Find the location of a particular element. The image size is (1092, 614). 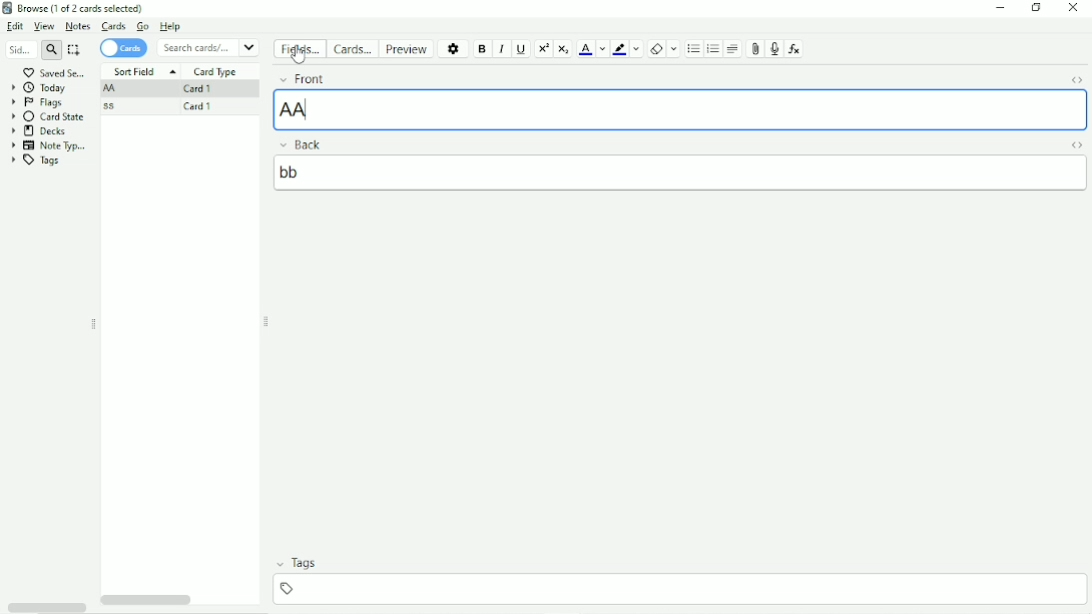

Close is located at coordinates (1073, 9).